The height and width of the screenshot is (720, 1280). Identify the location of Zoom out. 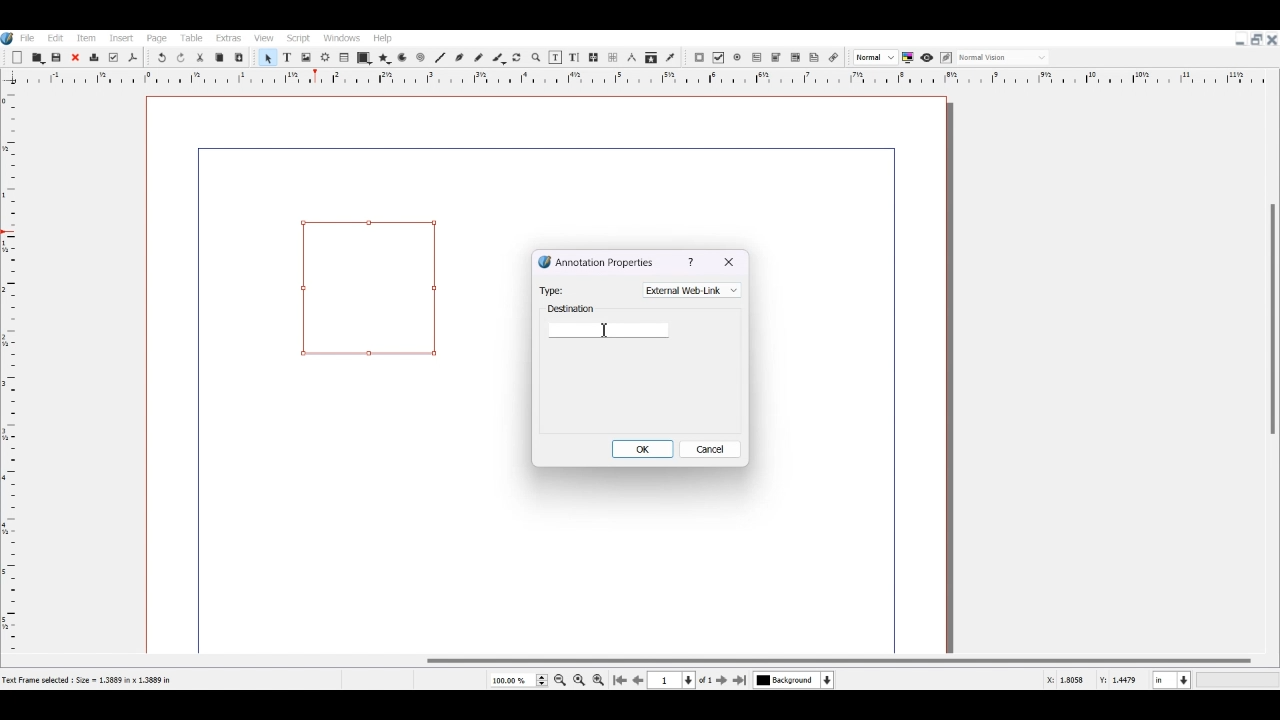
(561, 680).